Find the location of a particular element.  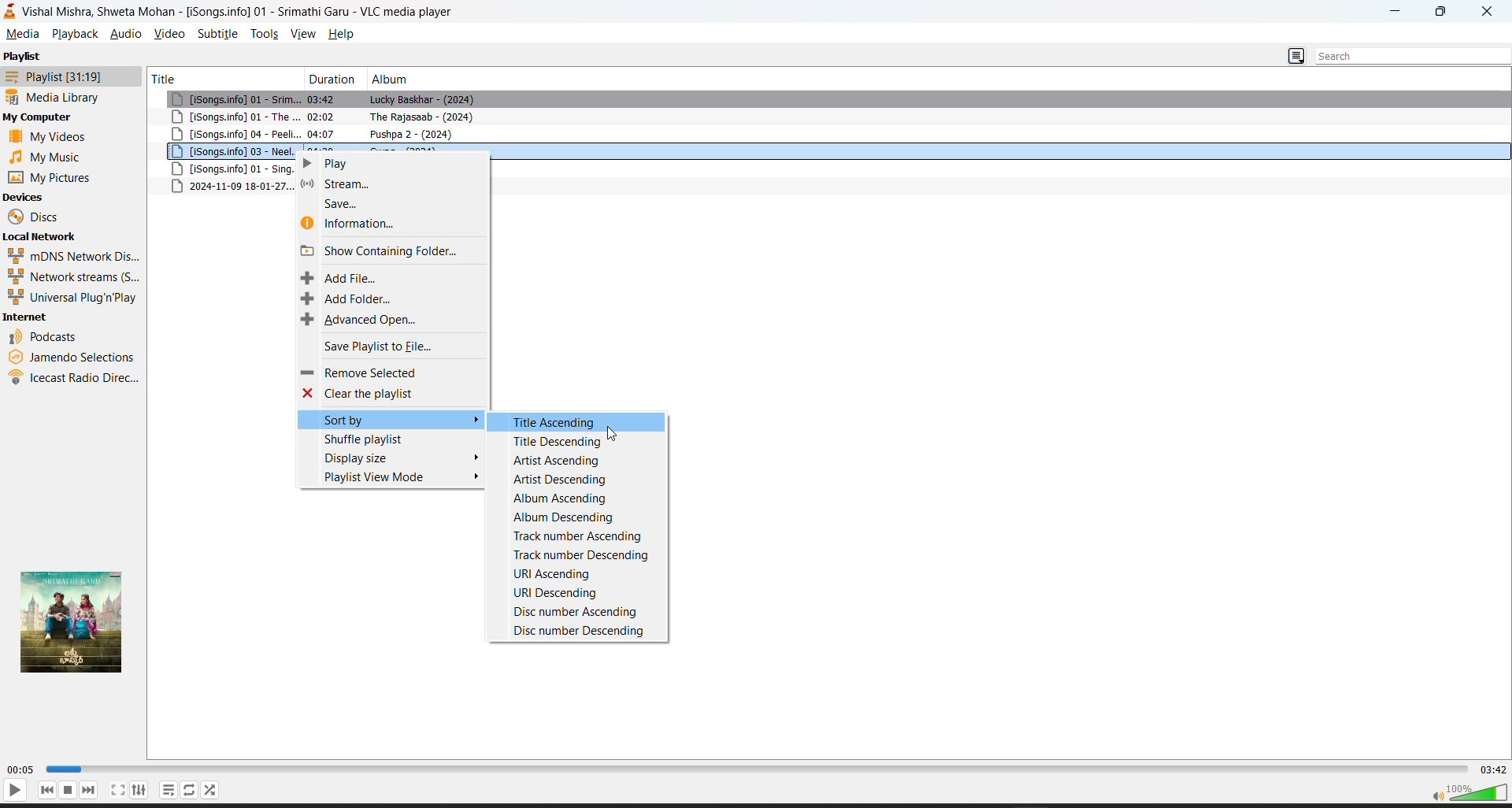

minimize is located at coordinates (1393, 10).